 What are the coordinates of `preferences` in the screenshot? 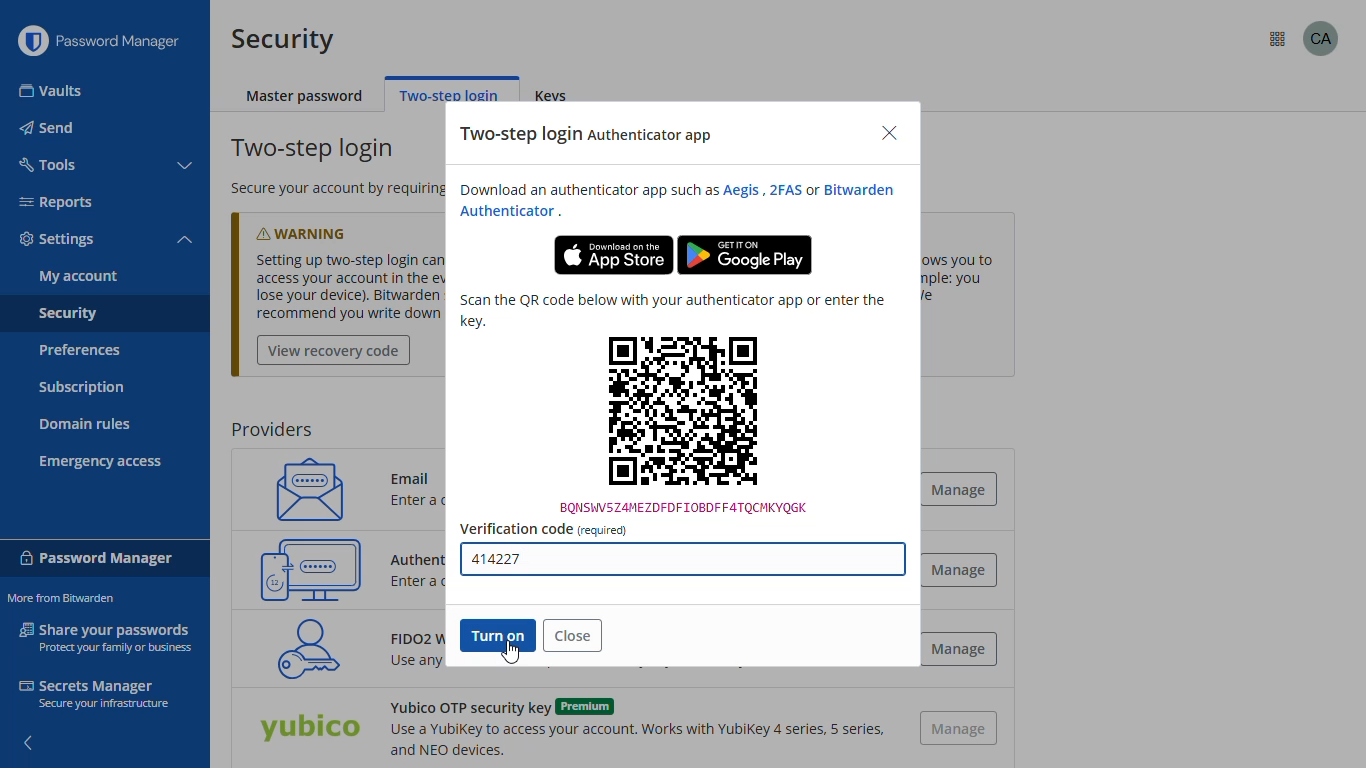 It's located at (78, 350).